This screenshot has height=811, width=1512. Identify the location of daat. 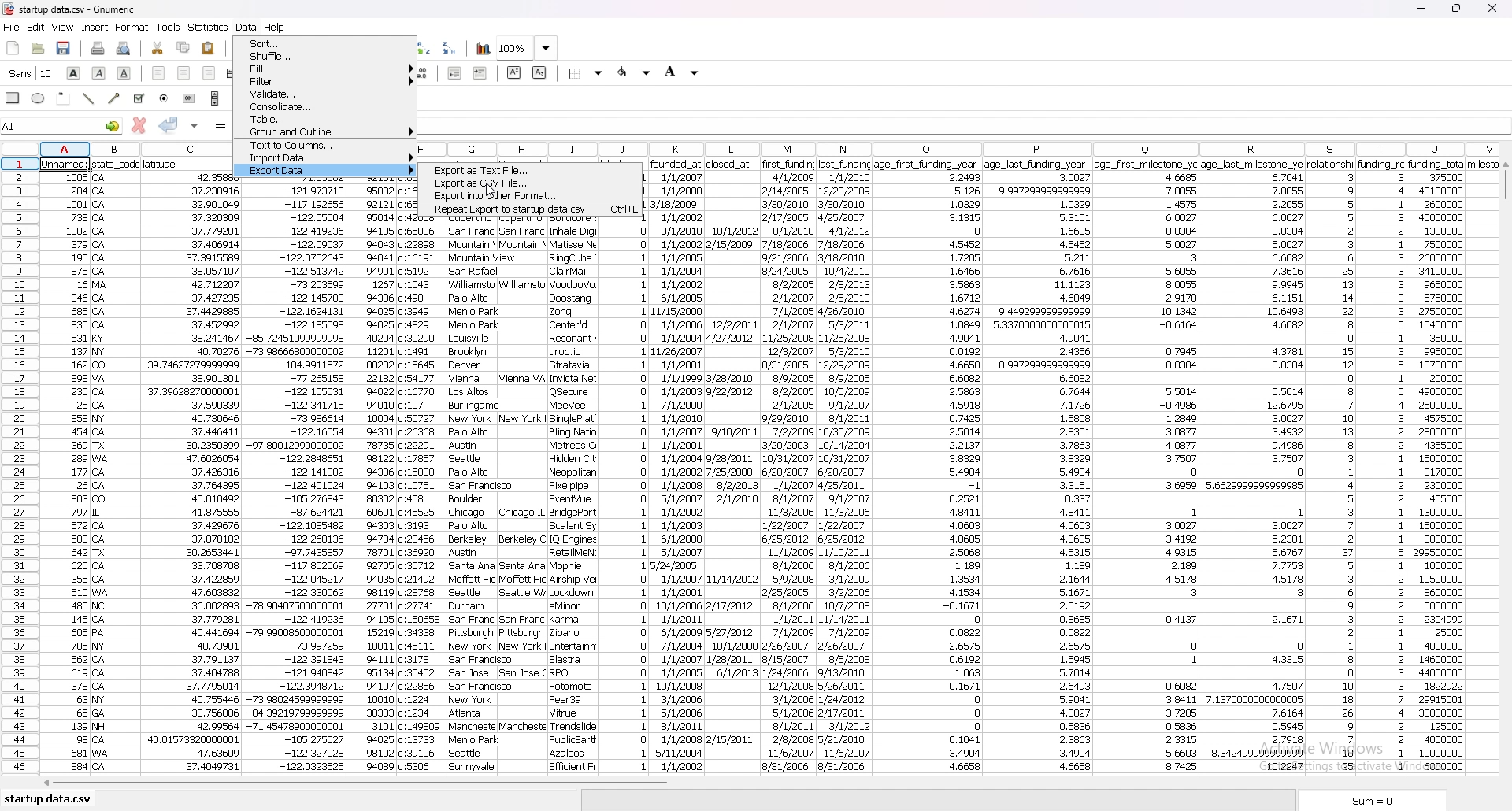
(1450, 465).